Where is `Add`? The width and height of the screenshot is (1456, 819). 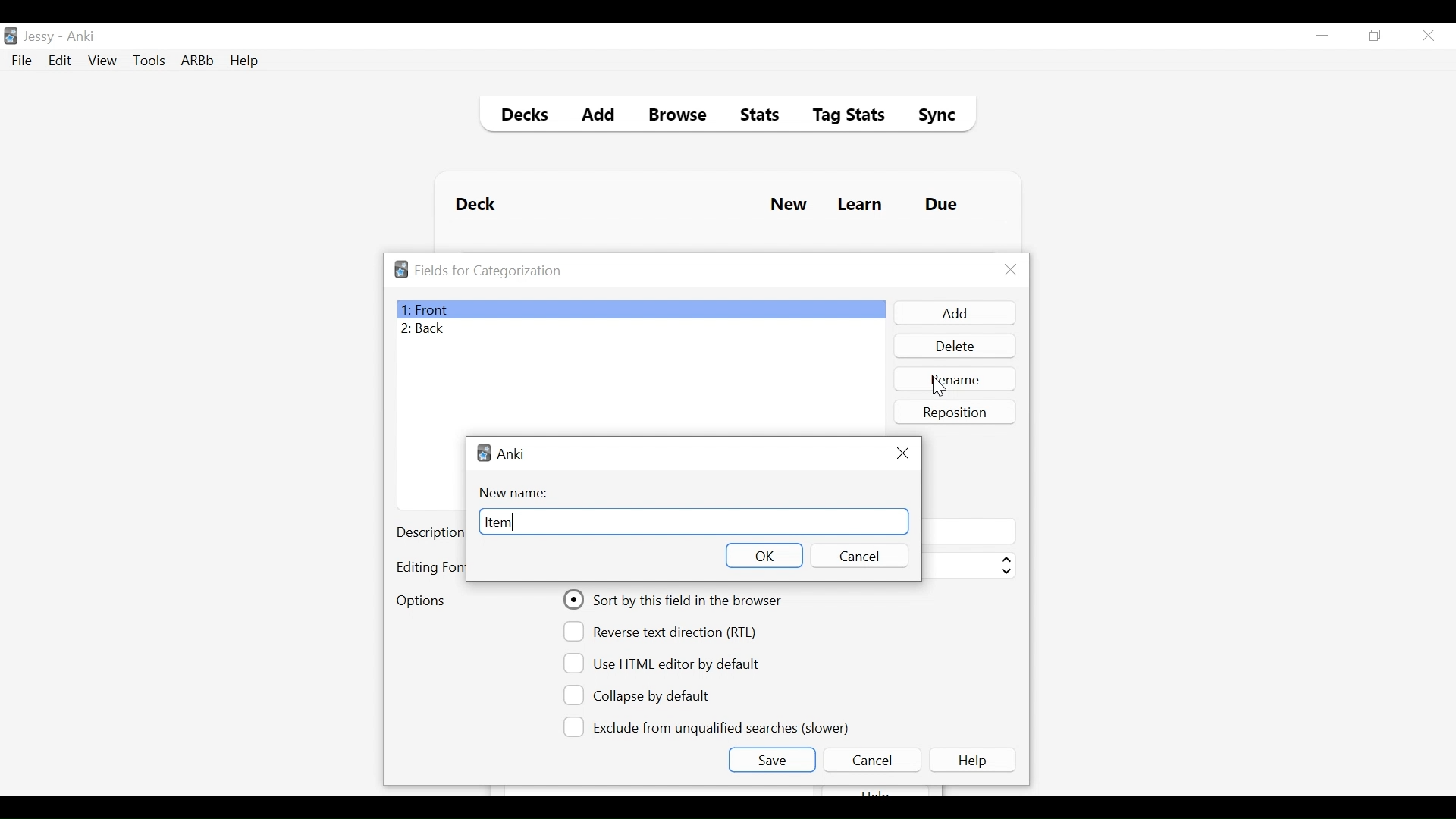 Add is located at coordinates (599, 117).